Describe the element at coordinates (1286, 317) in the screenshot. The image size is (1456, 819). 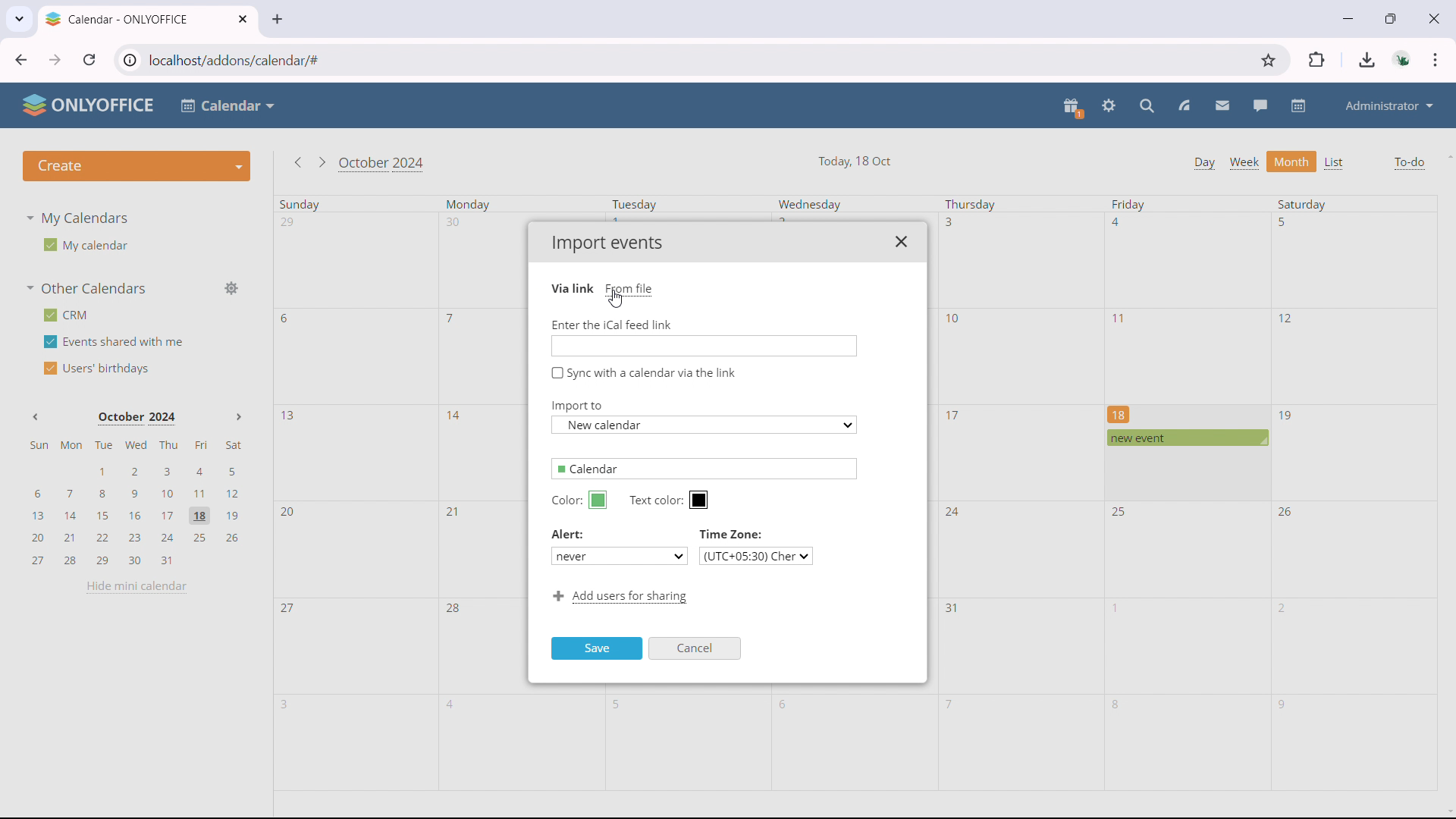
I see `12` at that location.